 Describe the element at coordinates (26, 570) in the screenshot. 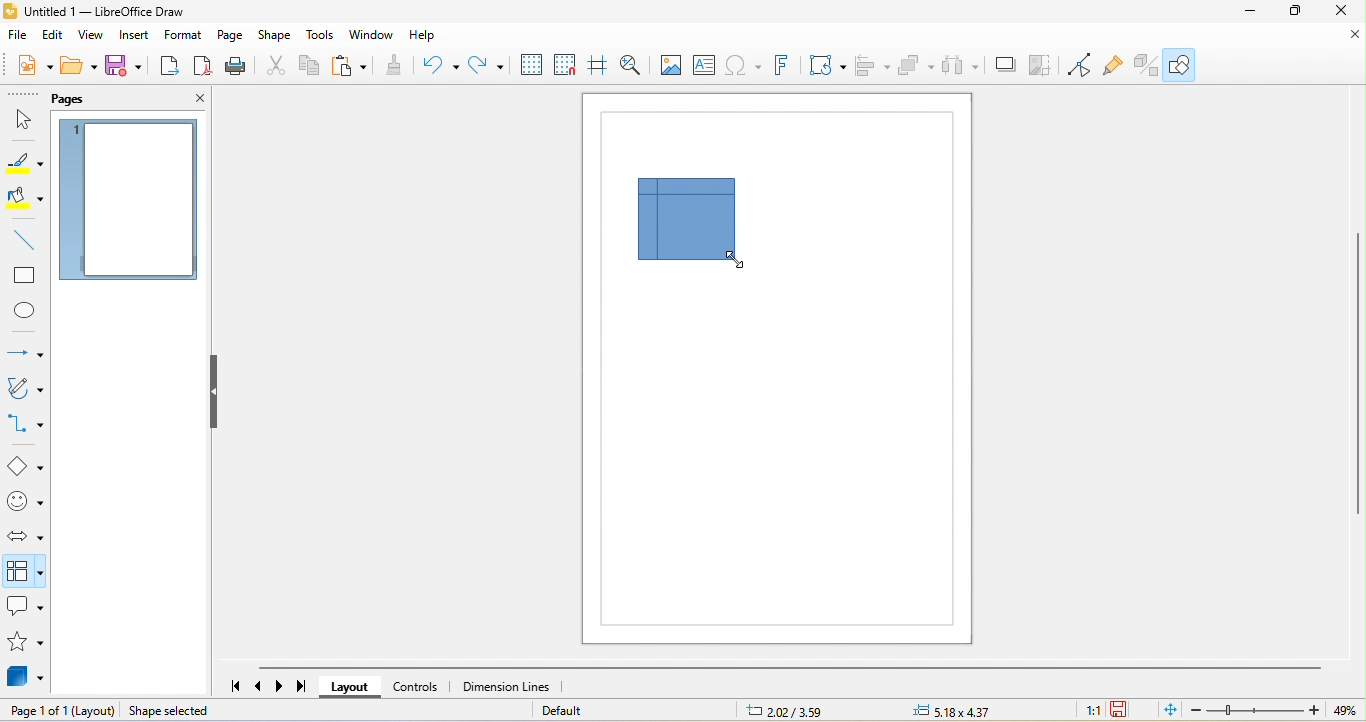

I see `select option` at that location.